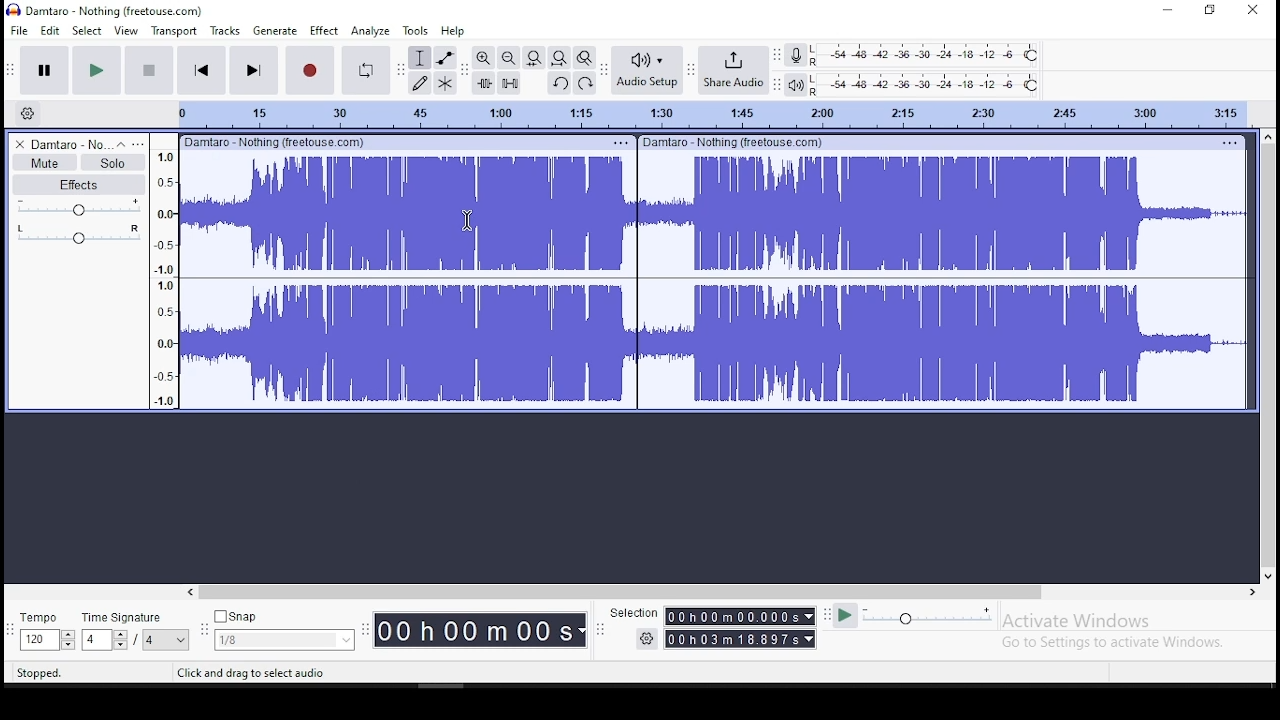 The width and height of the screenshot is (1280, 720). I want to click on pan, so click(77, 236).